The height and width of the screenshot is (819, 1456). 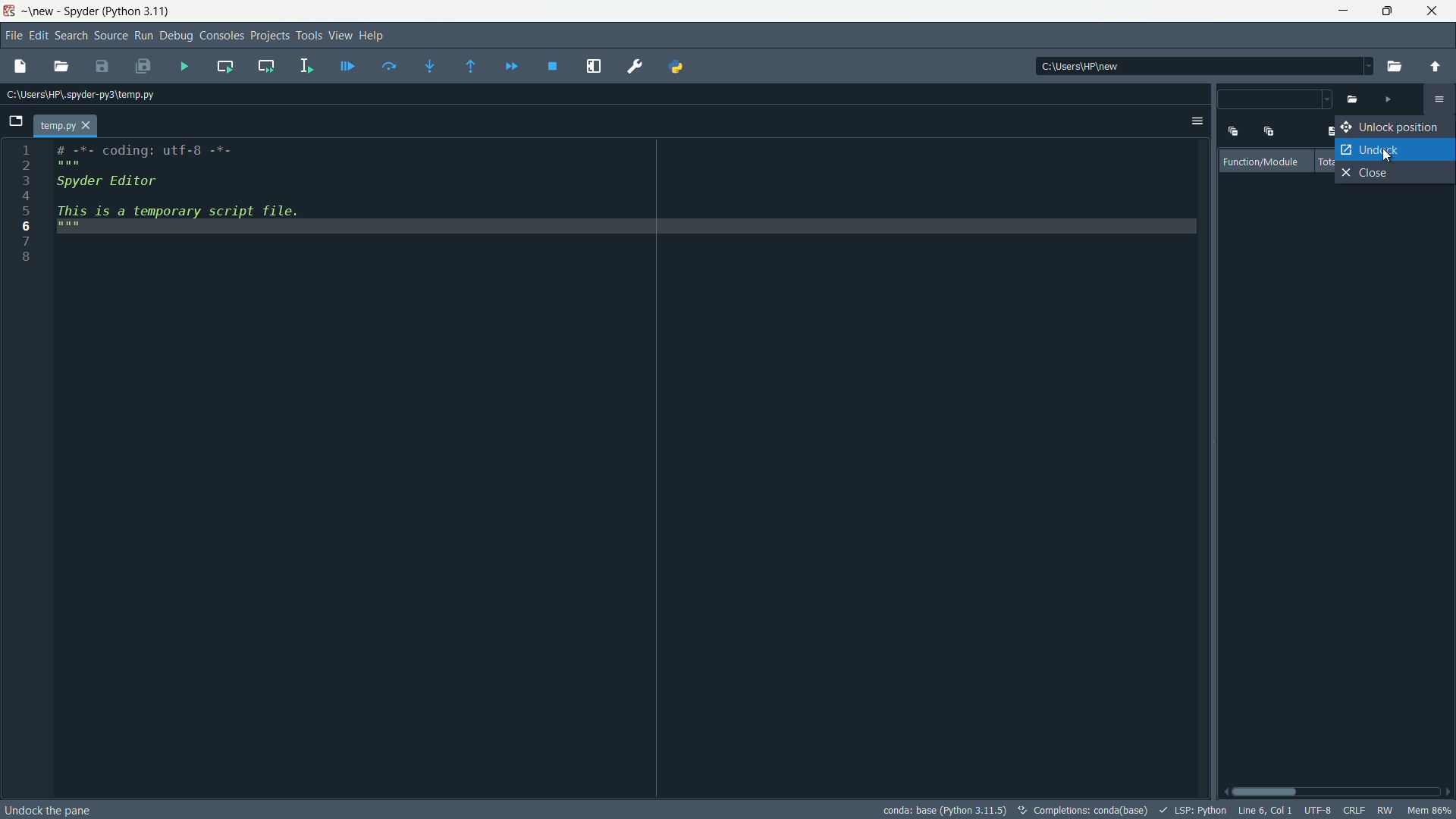 I want to click on close app, so click(x=1433, y=12).